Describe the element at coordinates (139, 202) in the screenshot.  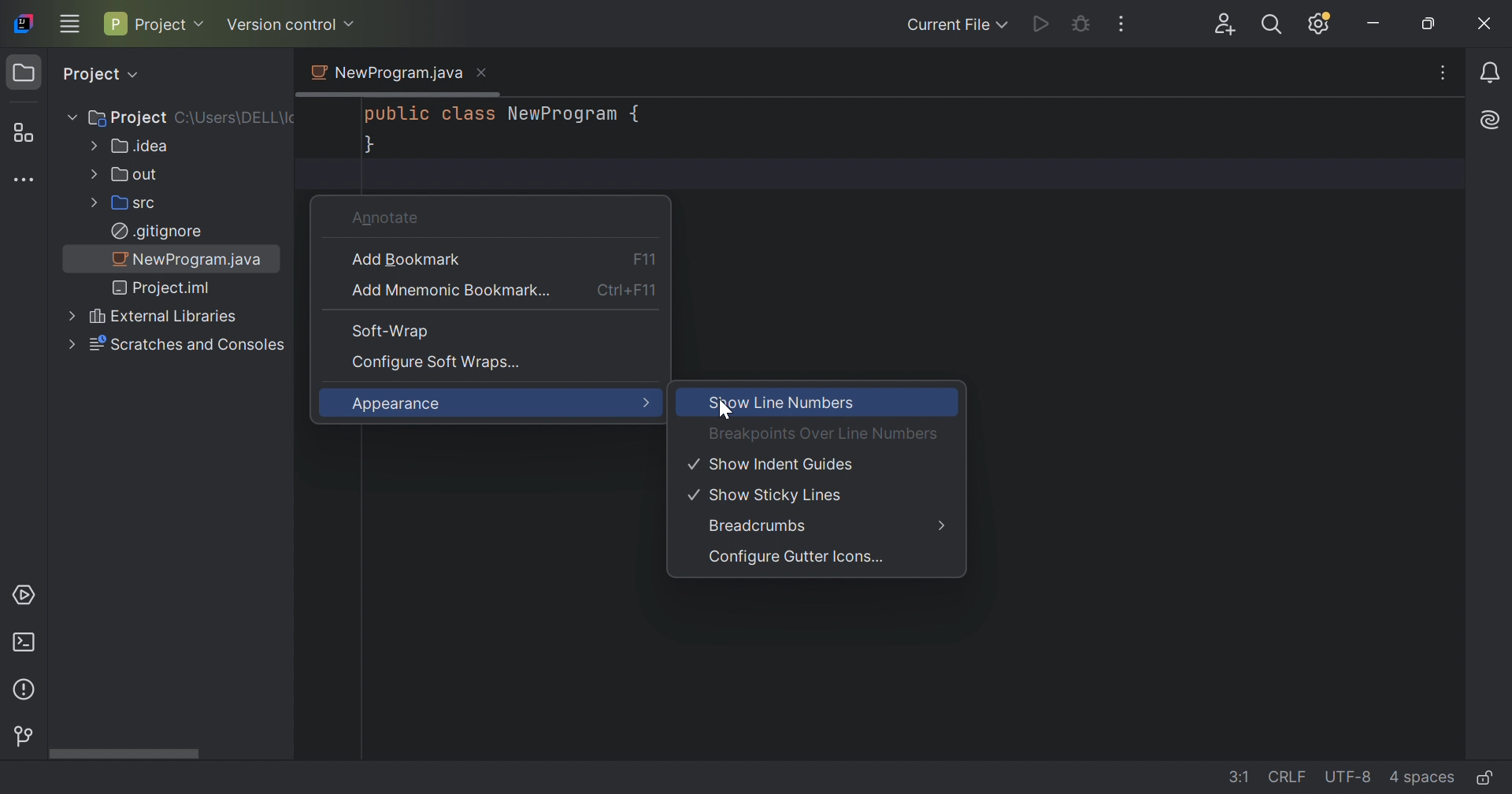
I see `src` at that location.